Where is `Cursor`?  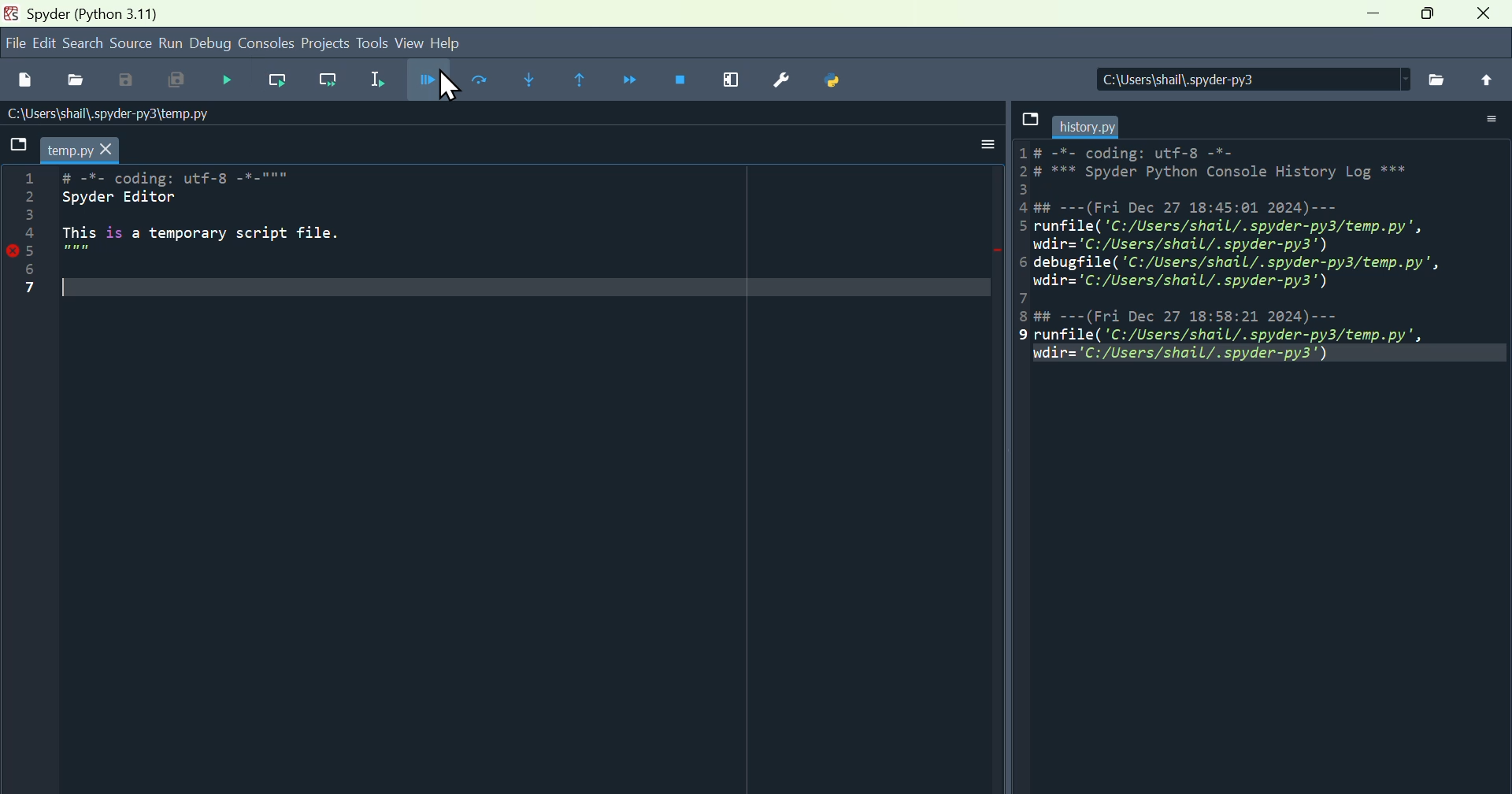 Cursor is located at coordinates (451, 87).